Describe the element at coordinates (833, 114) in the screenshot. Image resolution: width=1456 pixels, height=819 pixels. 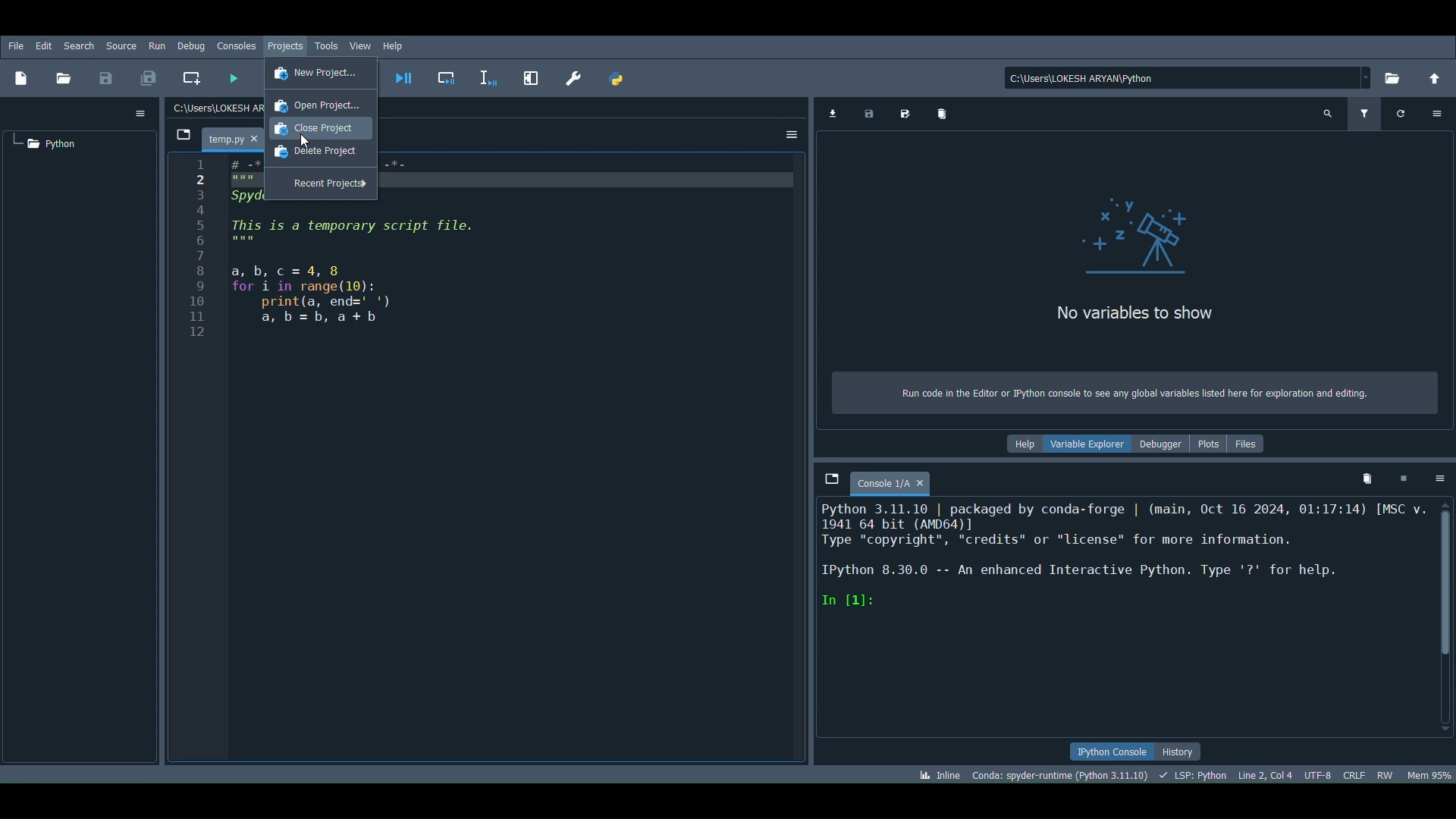
I see `Import data` at that location.